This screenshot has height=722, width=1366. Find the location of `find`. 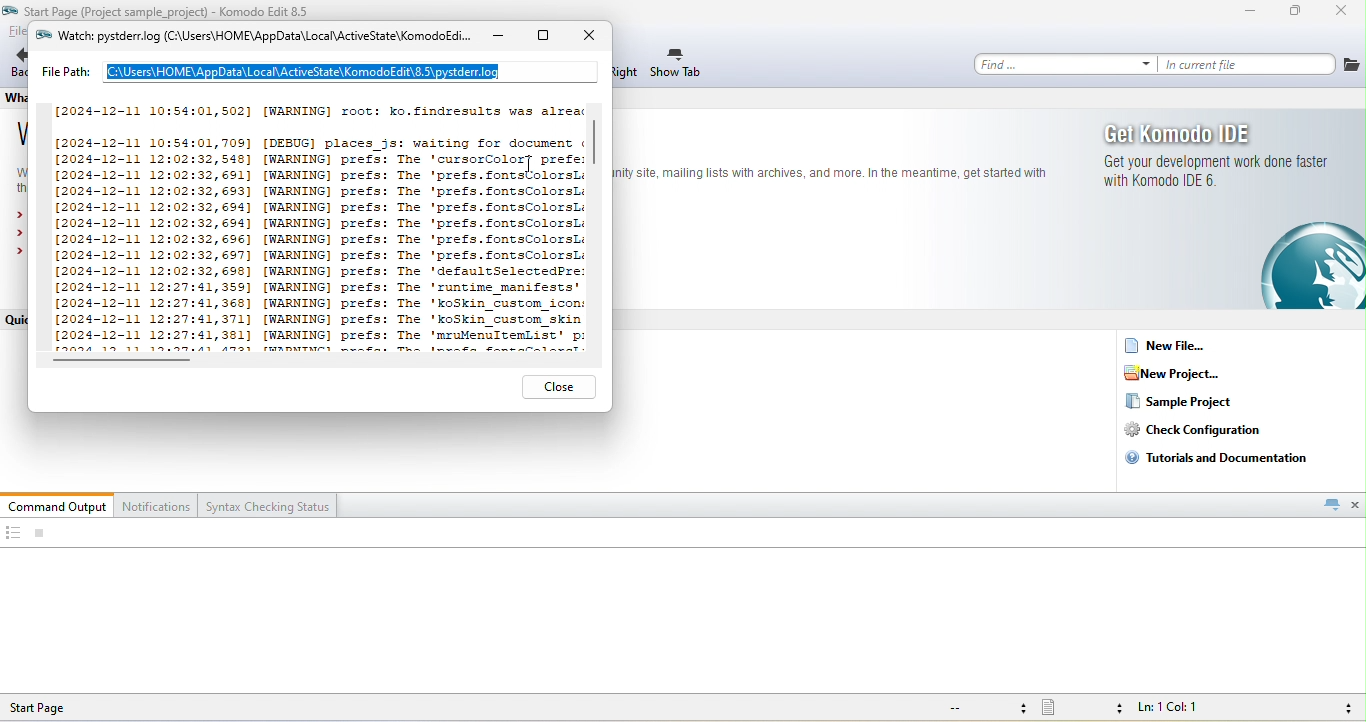

find is located at coordinates (1065, 64).